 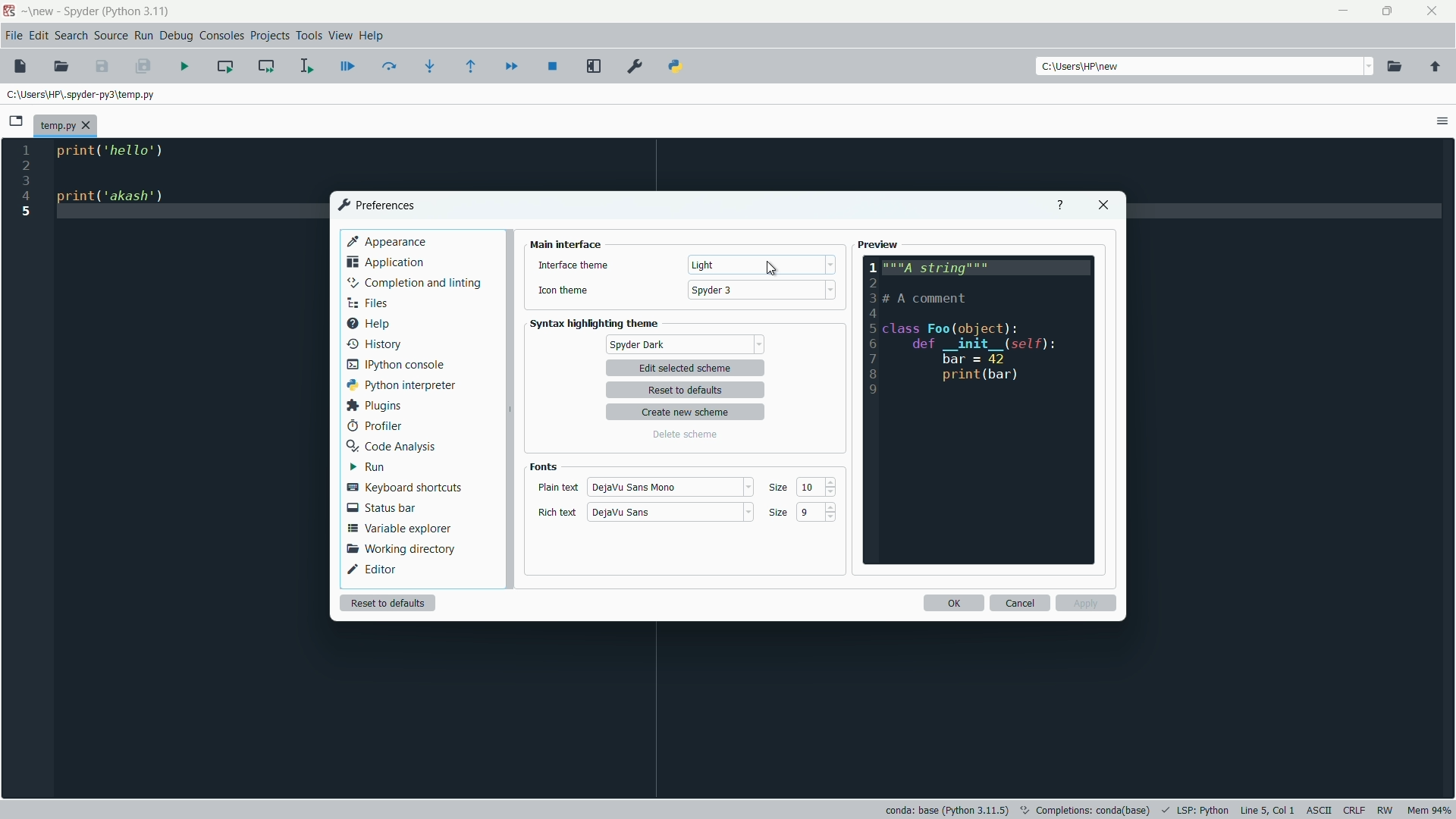 I want to click on delete scheme, so click(x=684, y=435).